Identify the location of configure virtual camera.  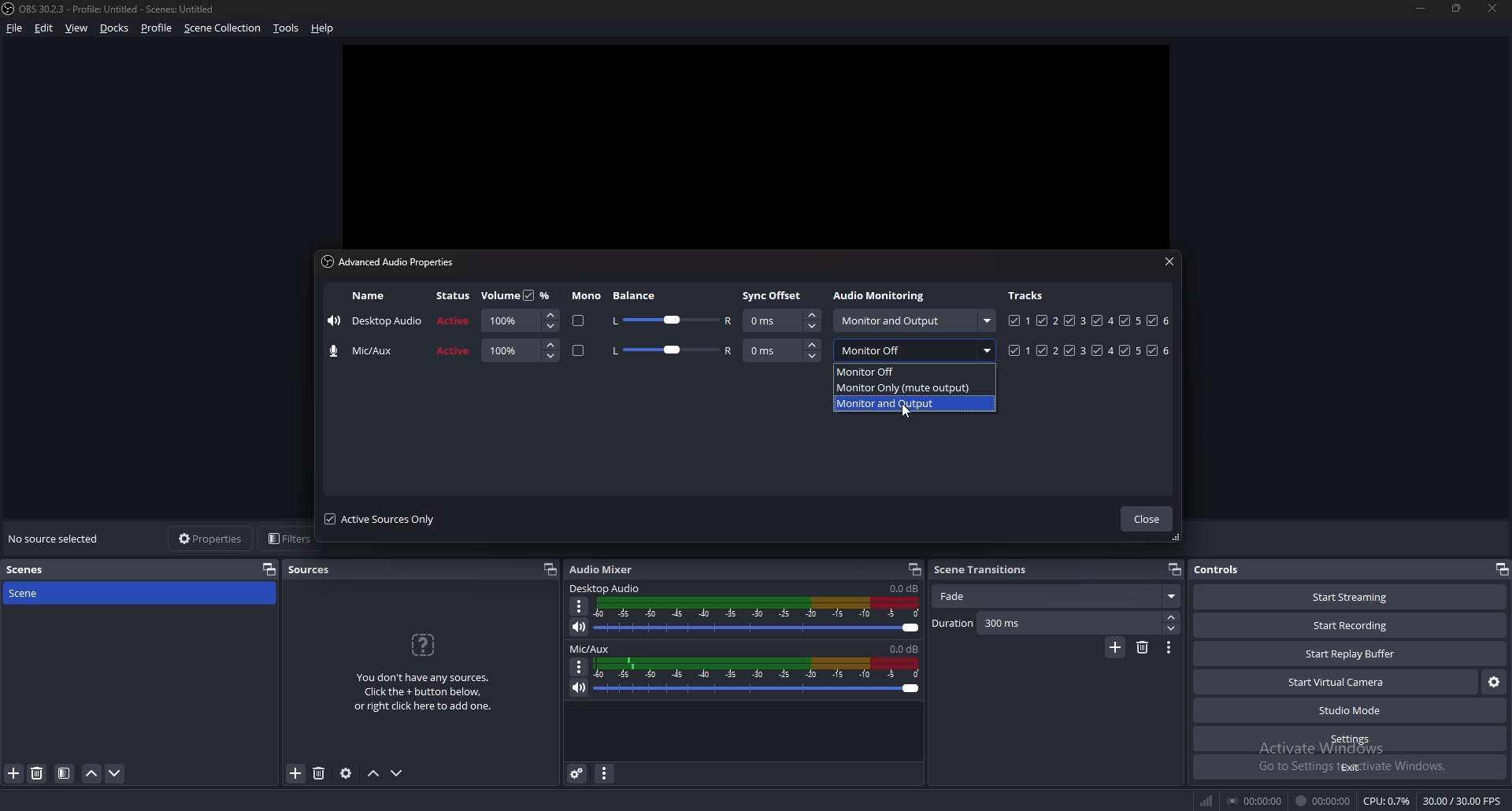
(1494, 683).